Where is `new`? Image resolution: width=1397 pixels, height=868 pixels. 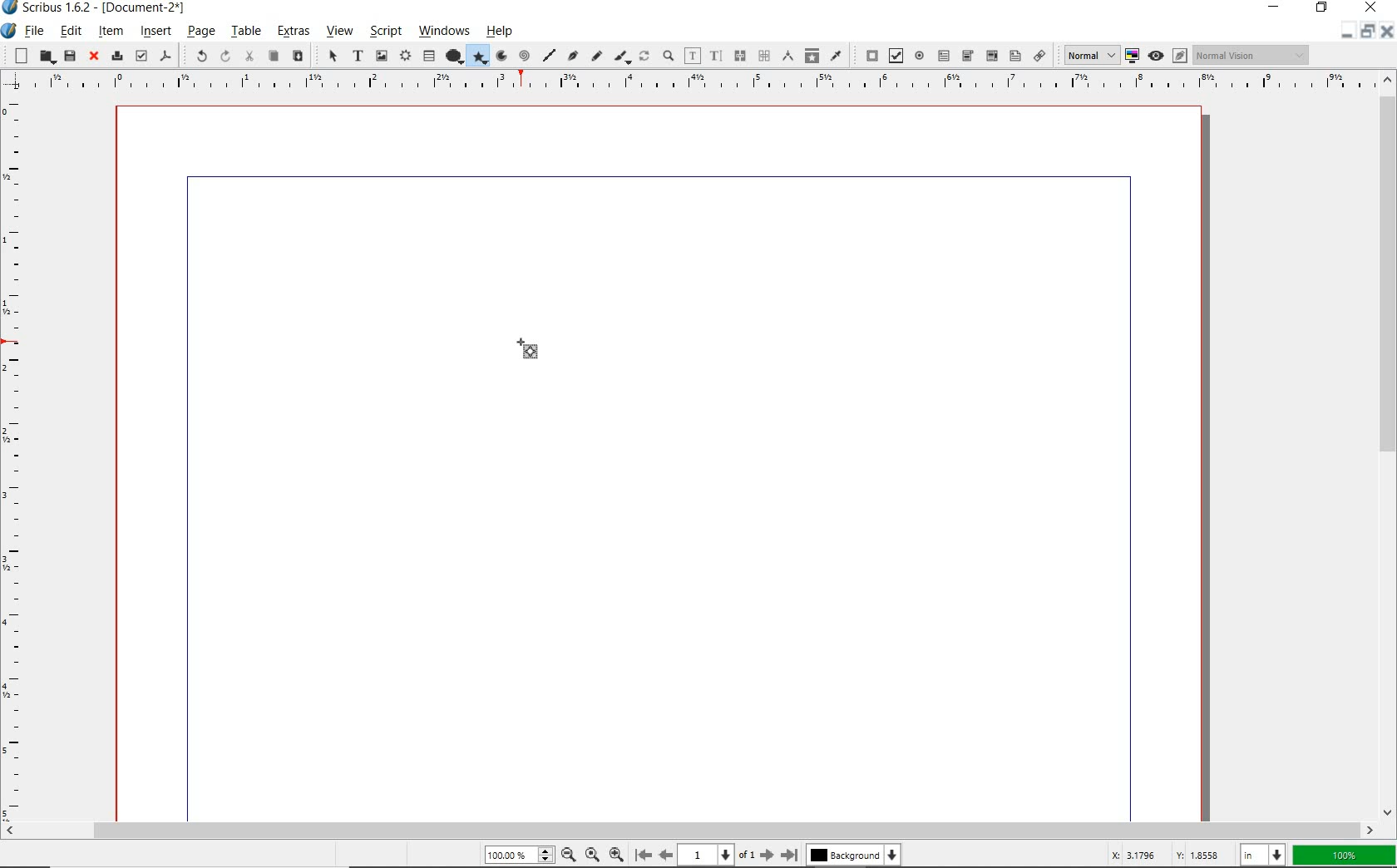
new is located at coordinates (17, 56).